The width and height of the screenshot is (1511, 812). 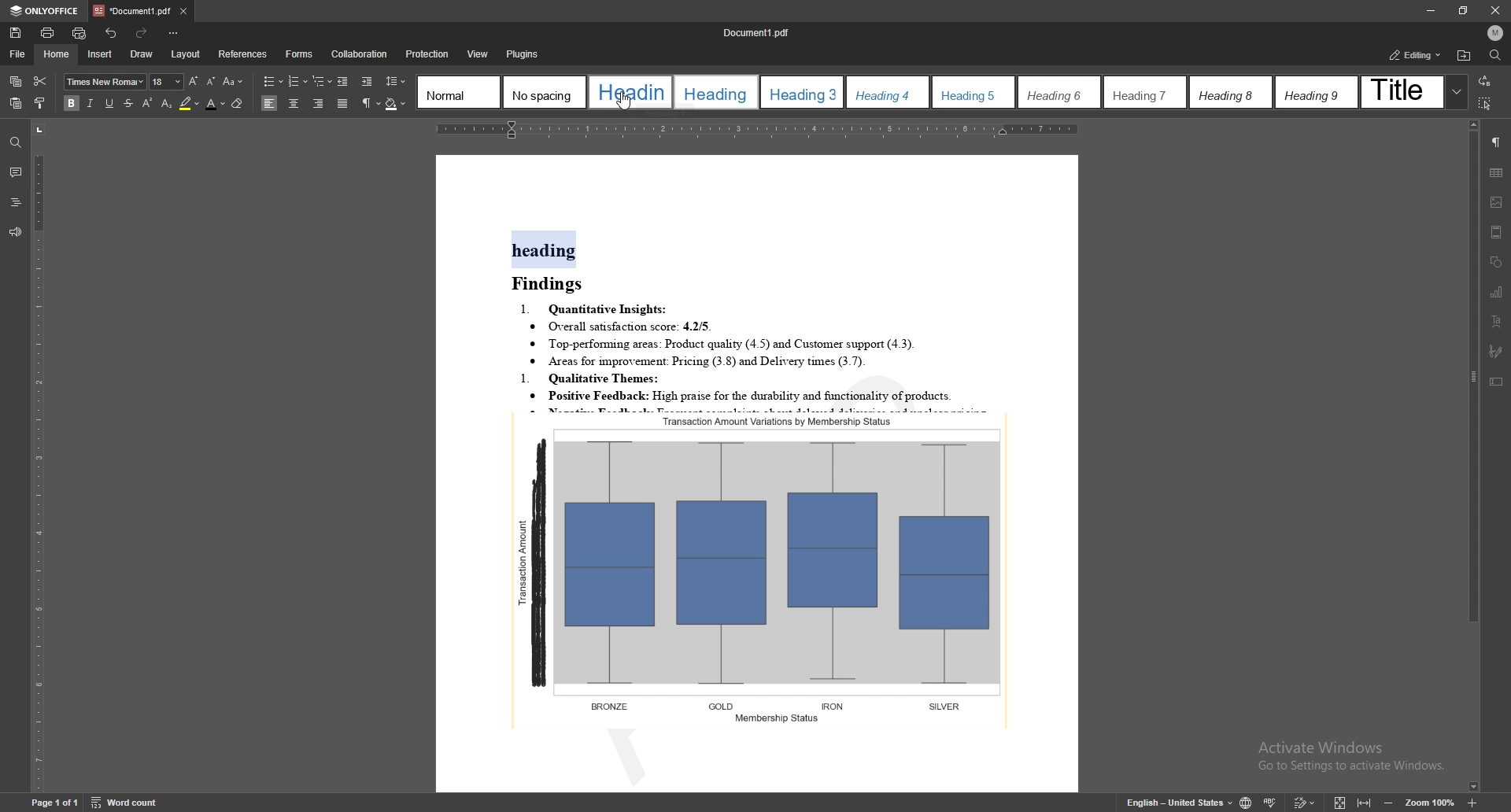 What do you see at coordinates (698, 361) in the screenshot?
I see `® Areas for improvement: Pricing (3.8) and Delivery times (3.7).` at bounding box center [698, 361].